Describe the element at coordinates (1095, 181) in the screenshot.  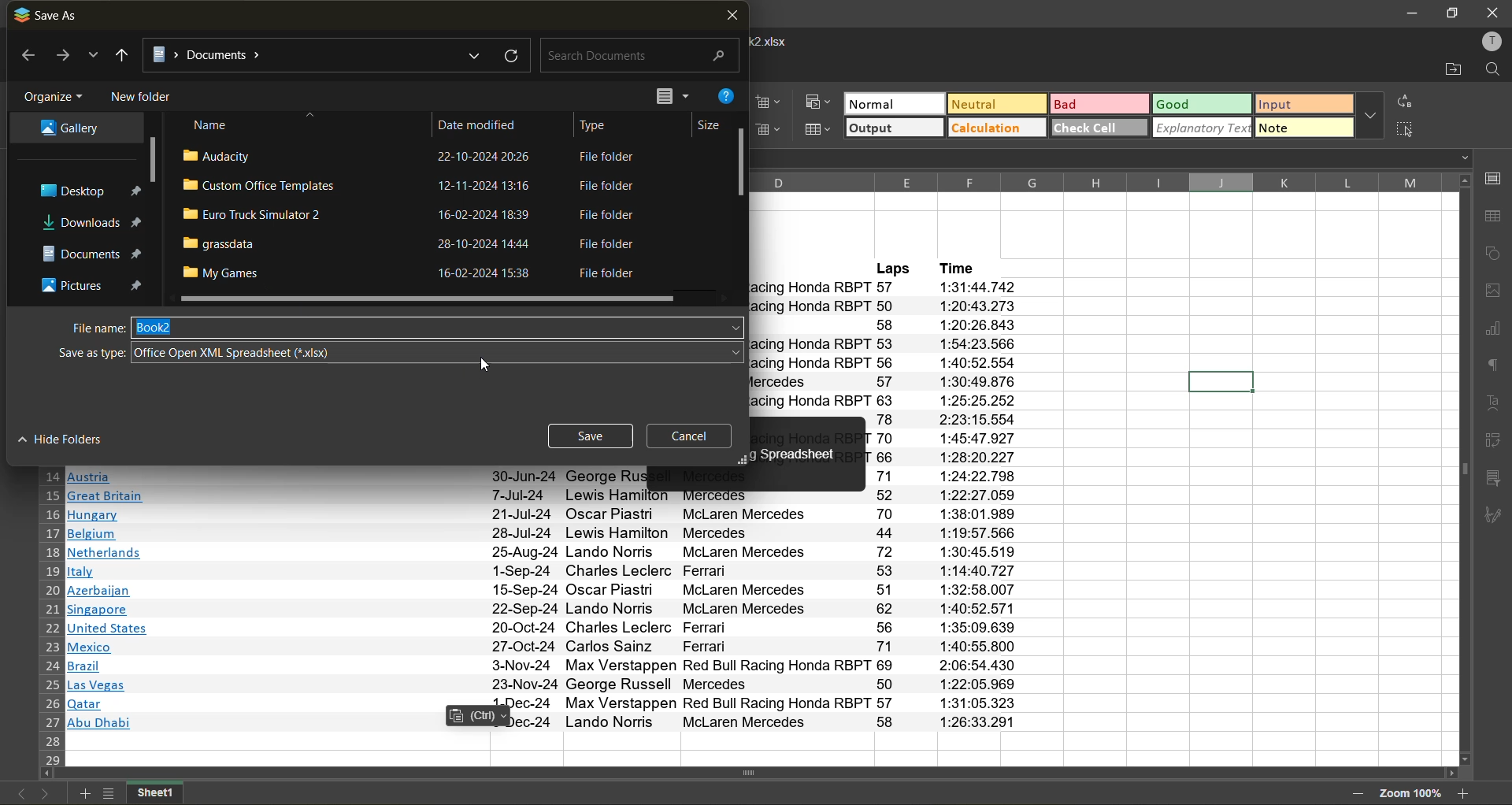
I see `column name` at that location.